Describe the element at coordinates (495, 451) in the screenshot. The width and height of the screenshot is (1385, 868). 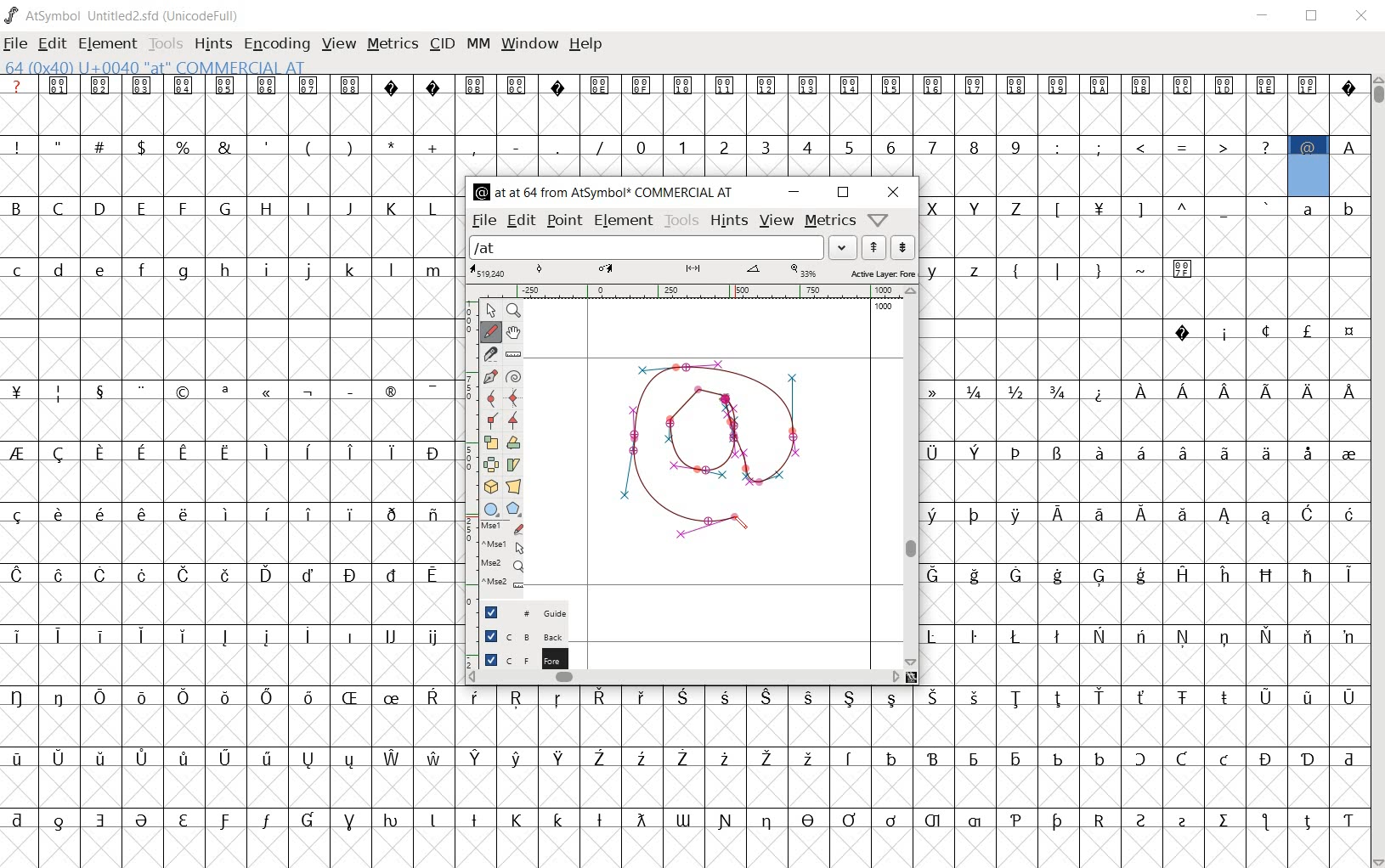
I see `editing tools` at that location.